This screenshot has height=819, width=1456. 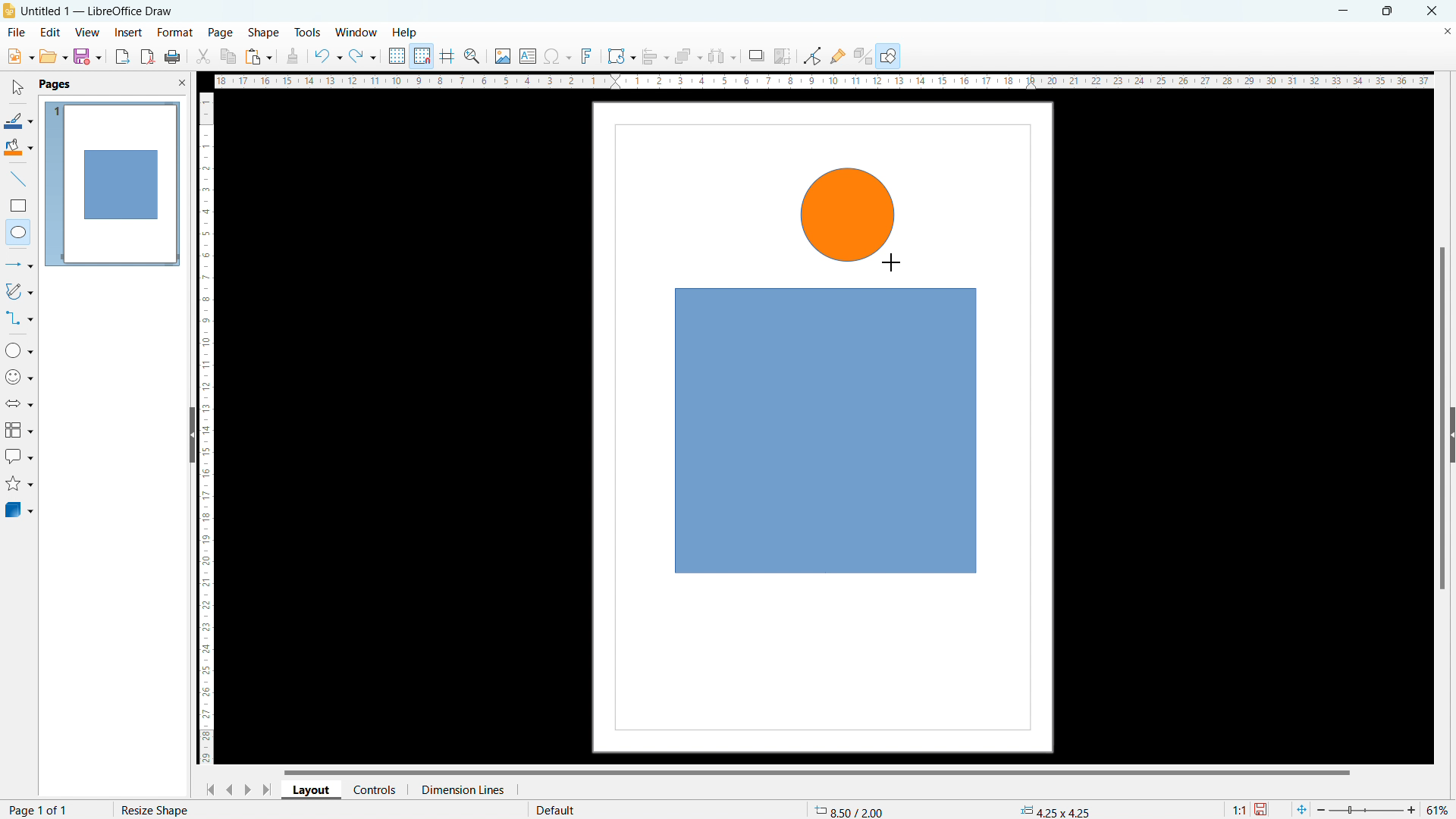 I want to click on cursoe, so click(x=891, y=262).